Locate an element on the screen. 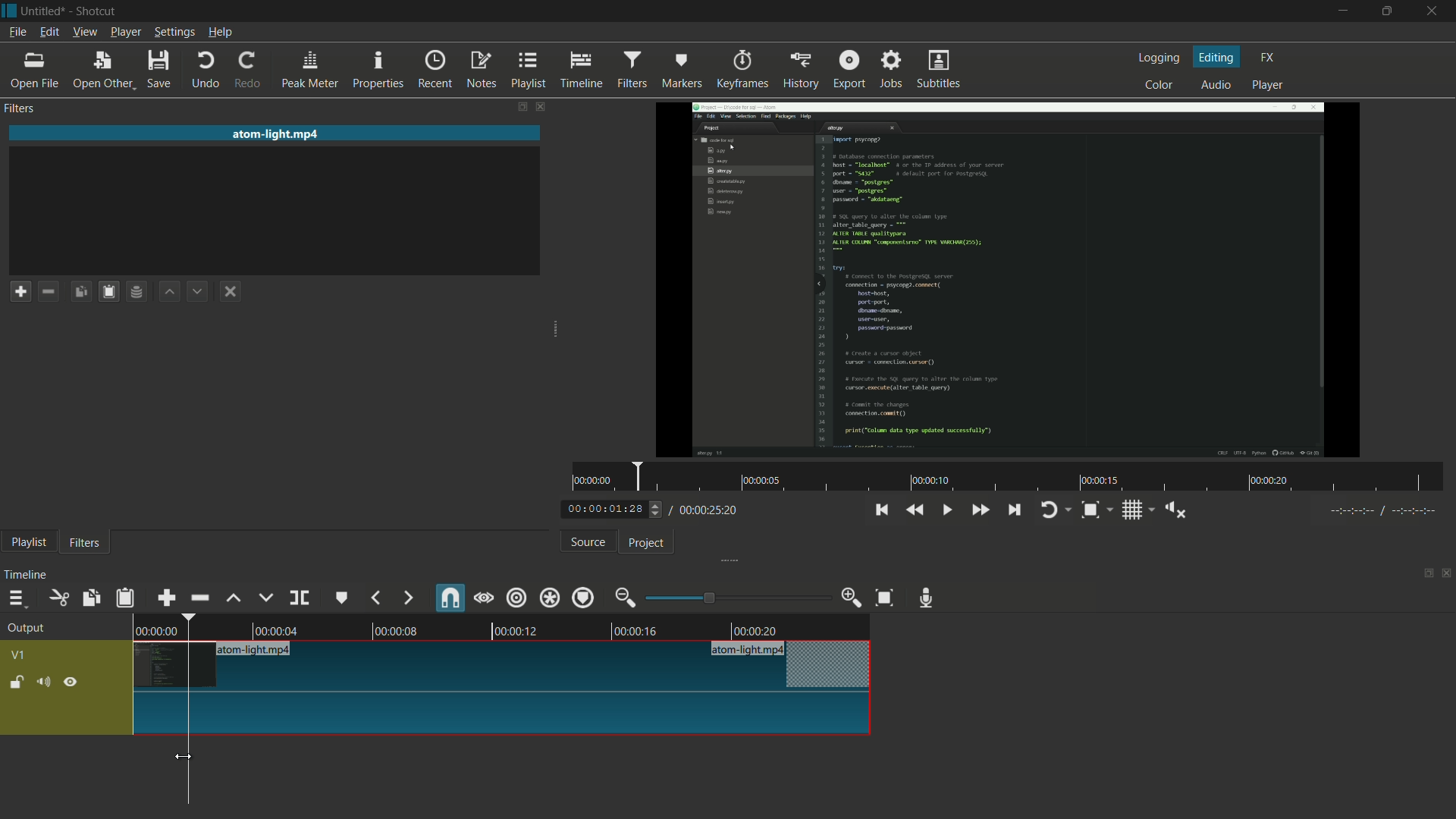 Image resolution: width=1456 pixels, height=819 pixels. skip to the previous point is located at coordinates (881, 510).